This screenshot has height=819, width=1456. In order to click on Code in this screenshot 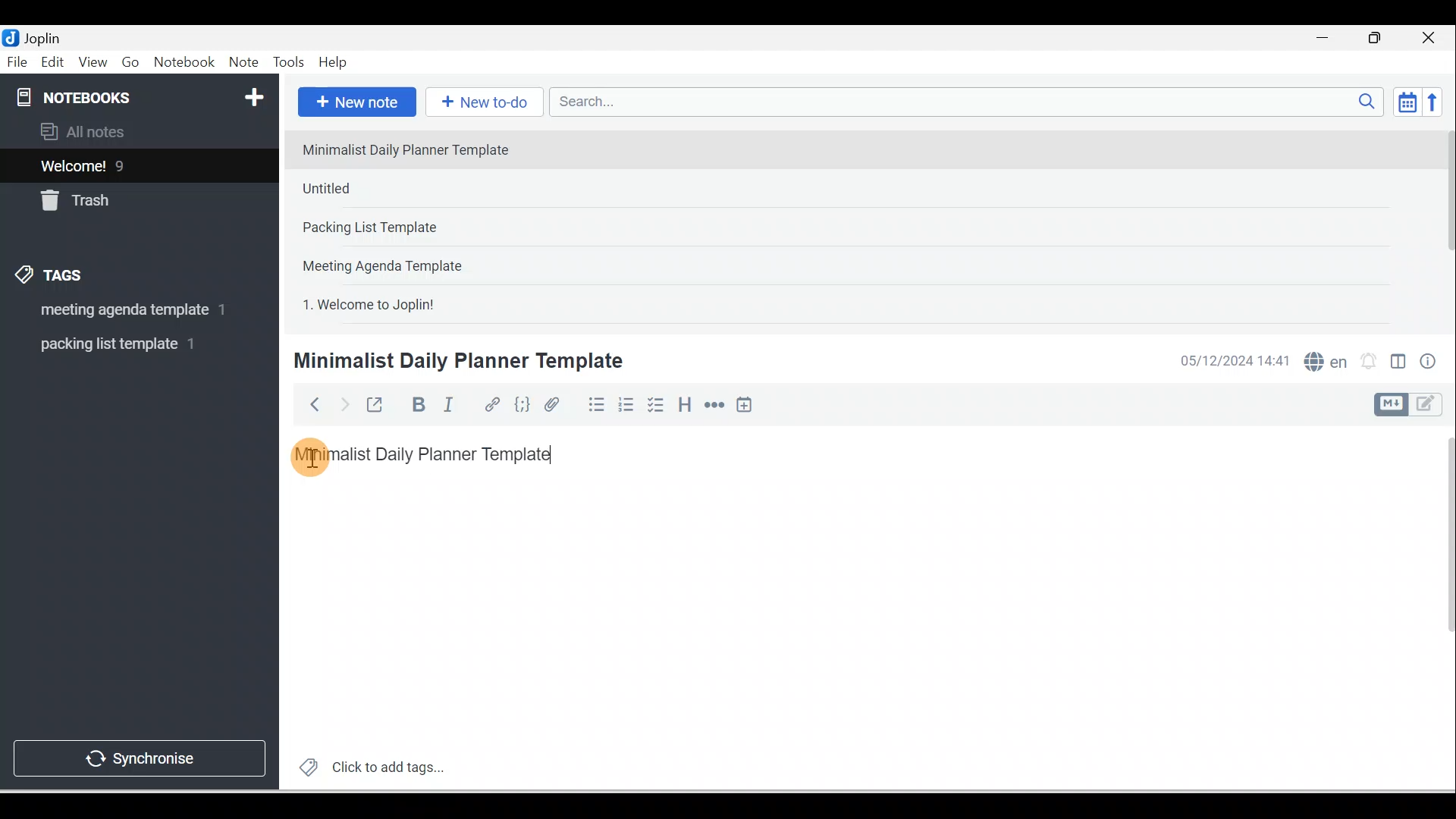, I will do `click(522, 406)`.